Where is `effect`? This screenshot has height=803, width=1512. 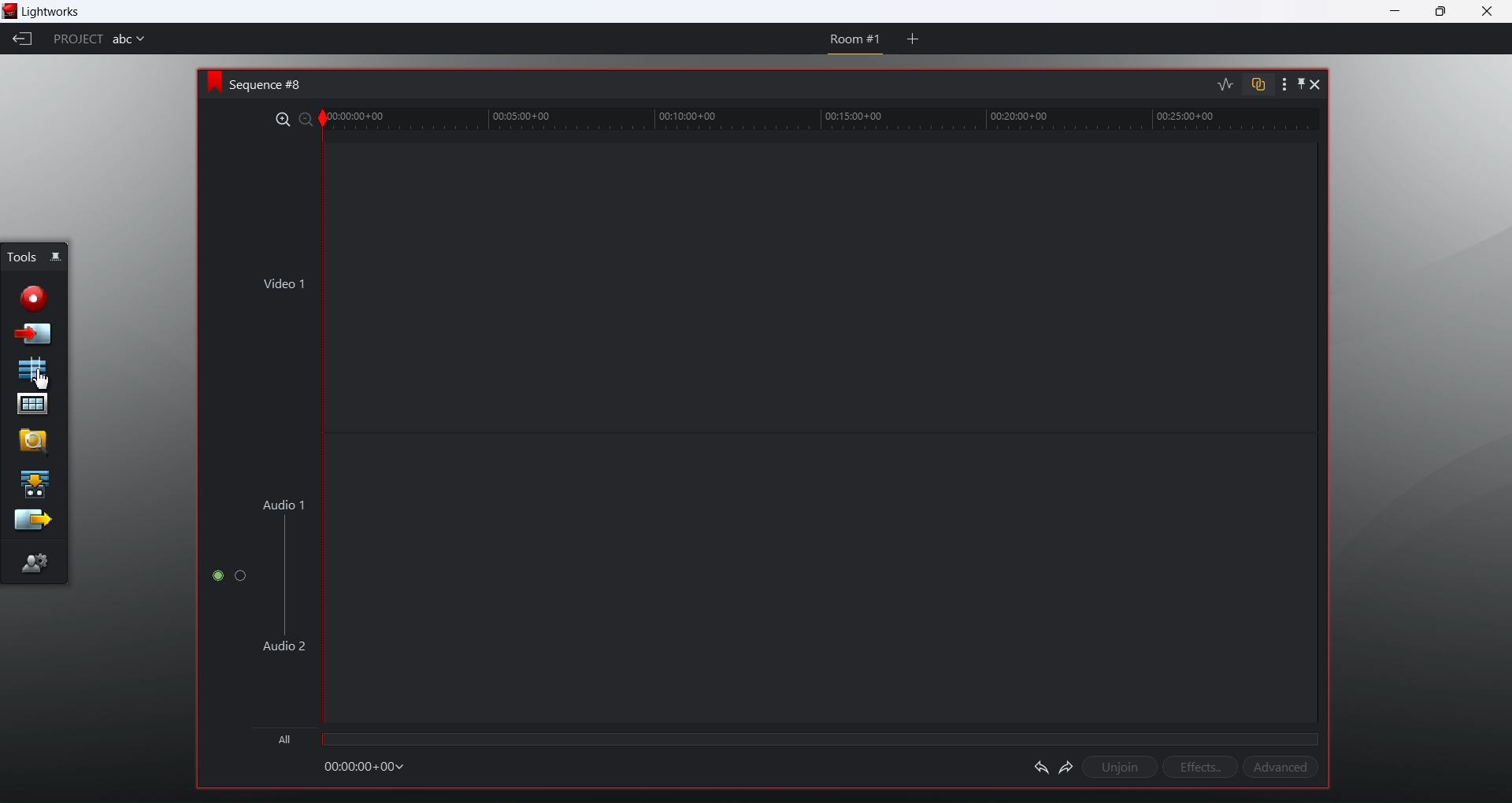 effect is located at coordinates (1197, 767).